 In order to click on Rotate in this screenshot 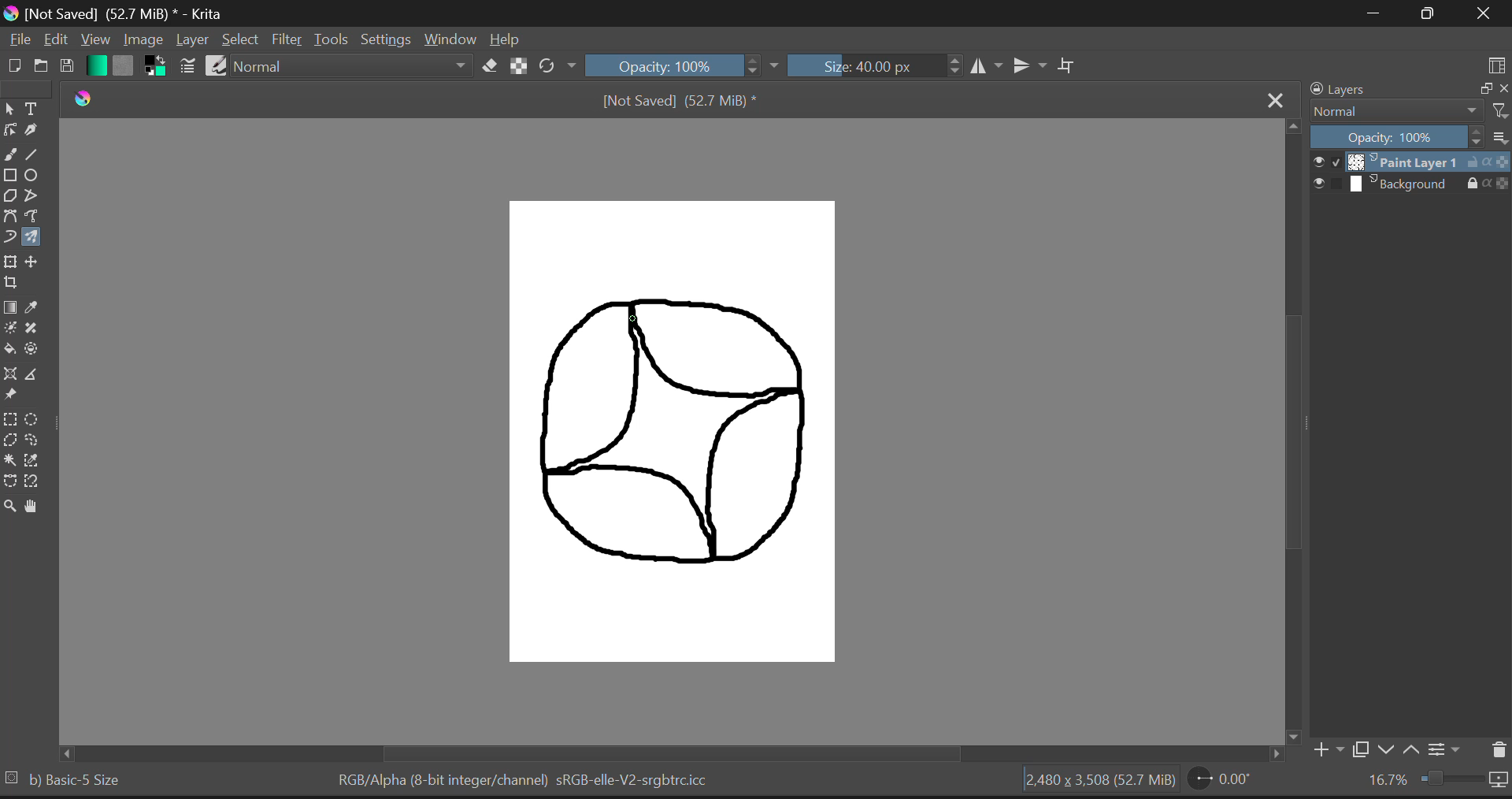, I will do `click(557, 65)`.